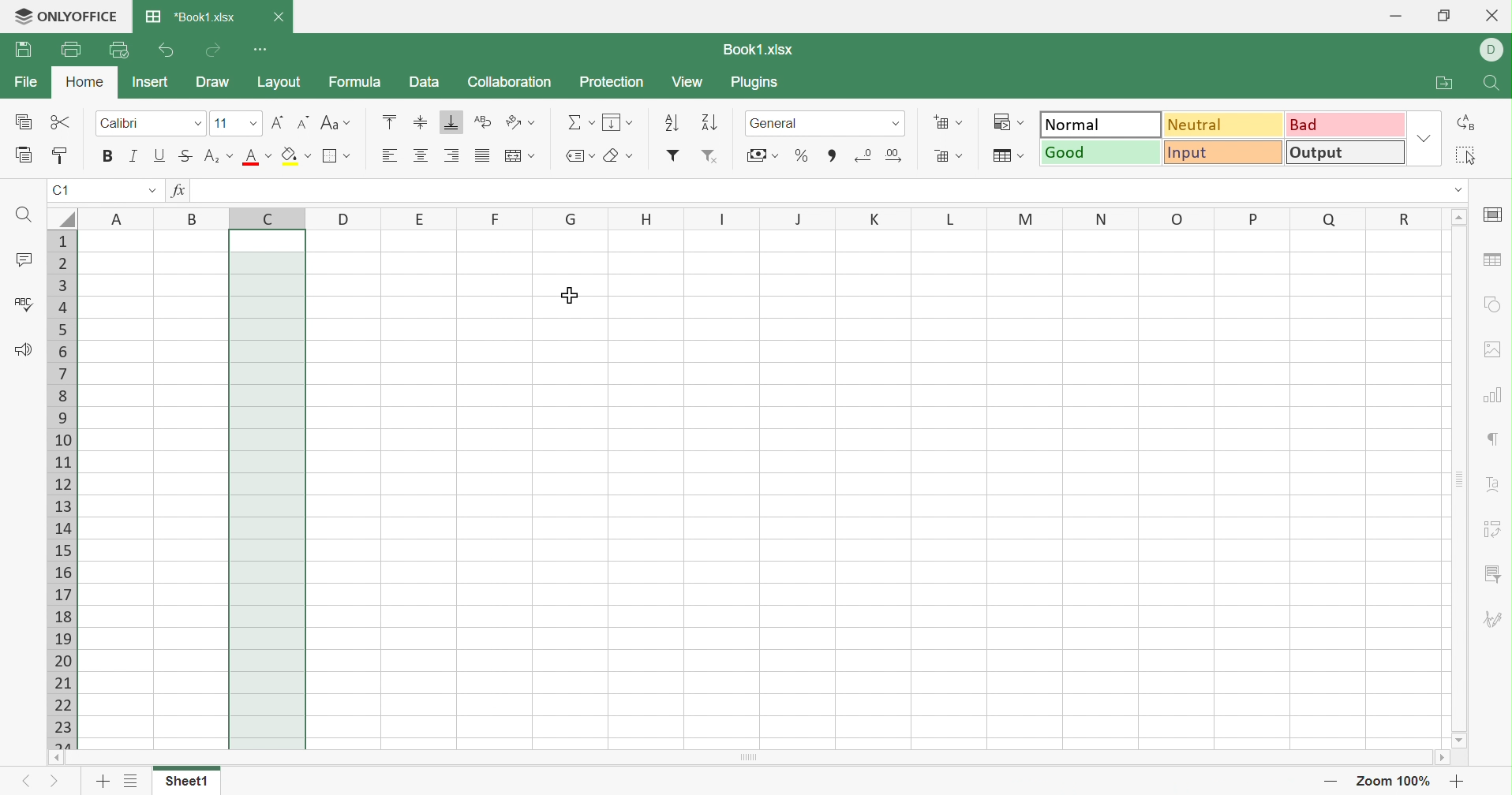 The height and width of the screenshot is (795, 1512). I want to click on Drop Down, so click(591, 123).